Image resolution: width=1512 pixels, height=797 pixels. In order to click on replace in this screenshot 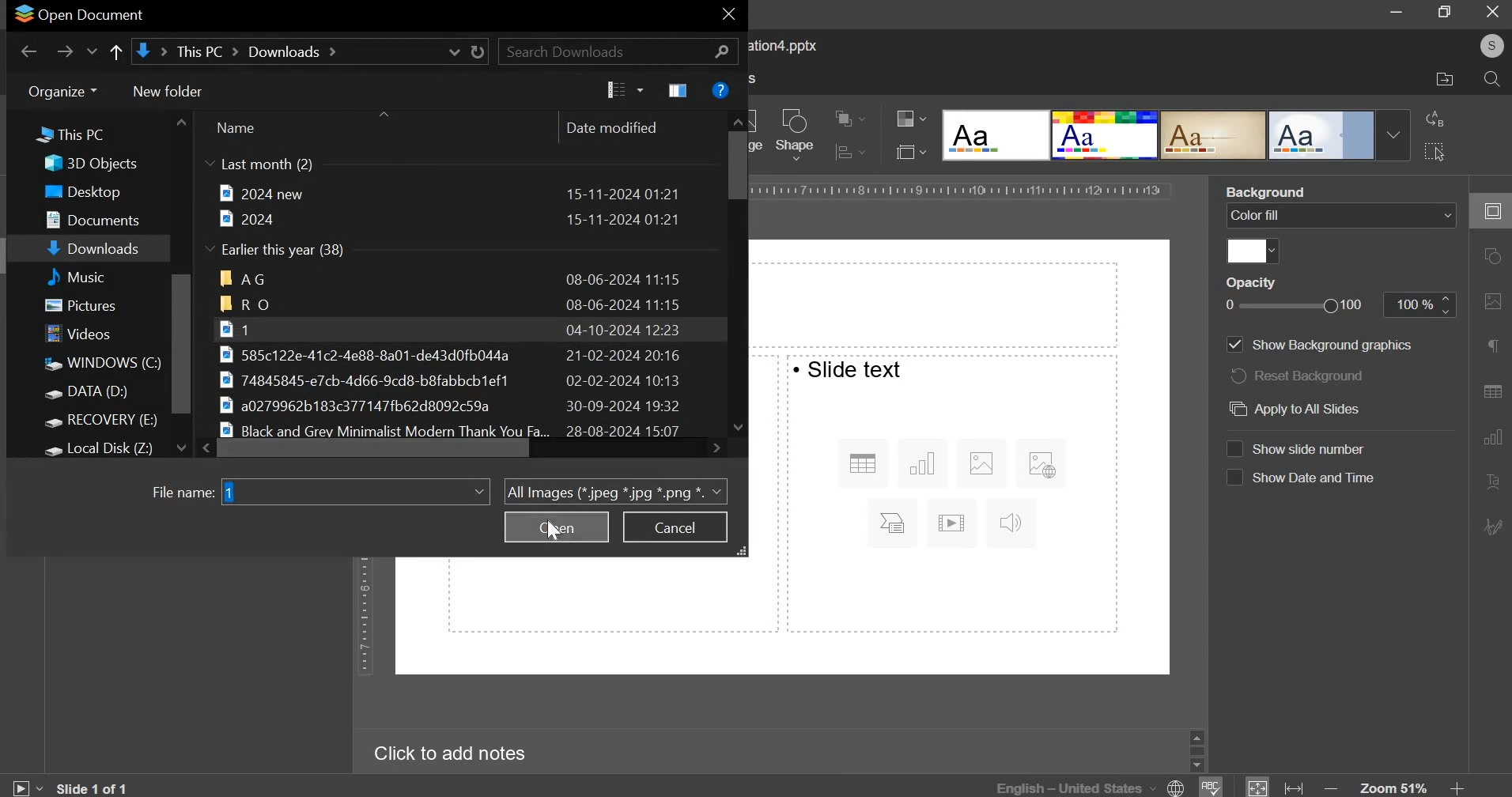, I will do `click(1435, 119)`.